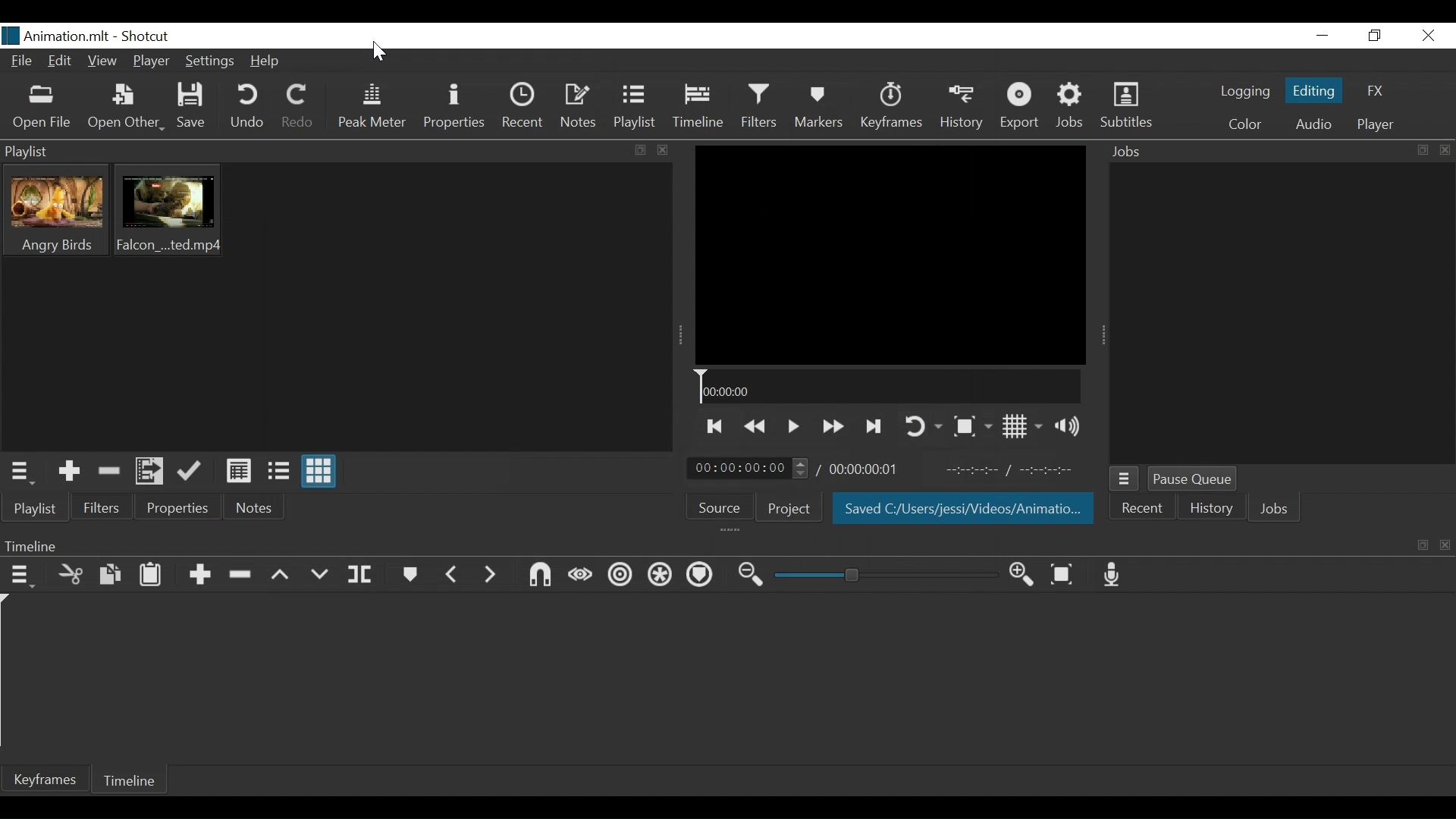 The width and height of the screenshot is (1456, 819). I want to click on Play forward quickly, so click(832, 426).